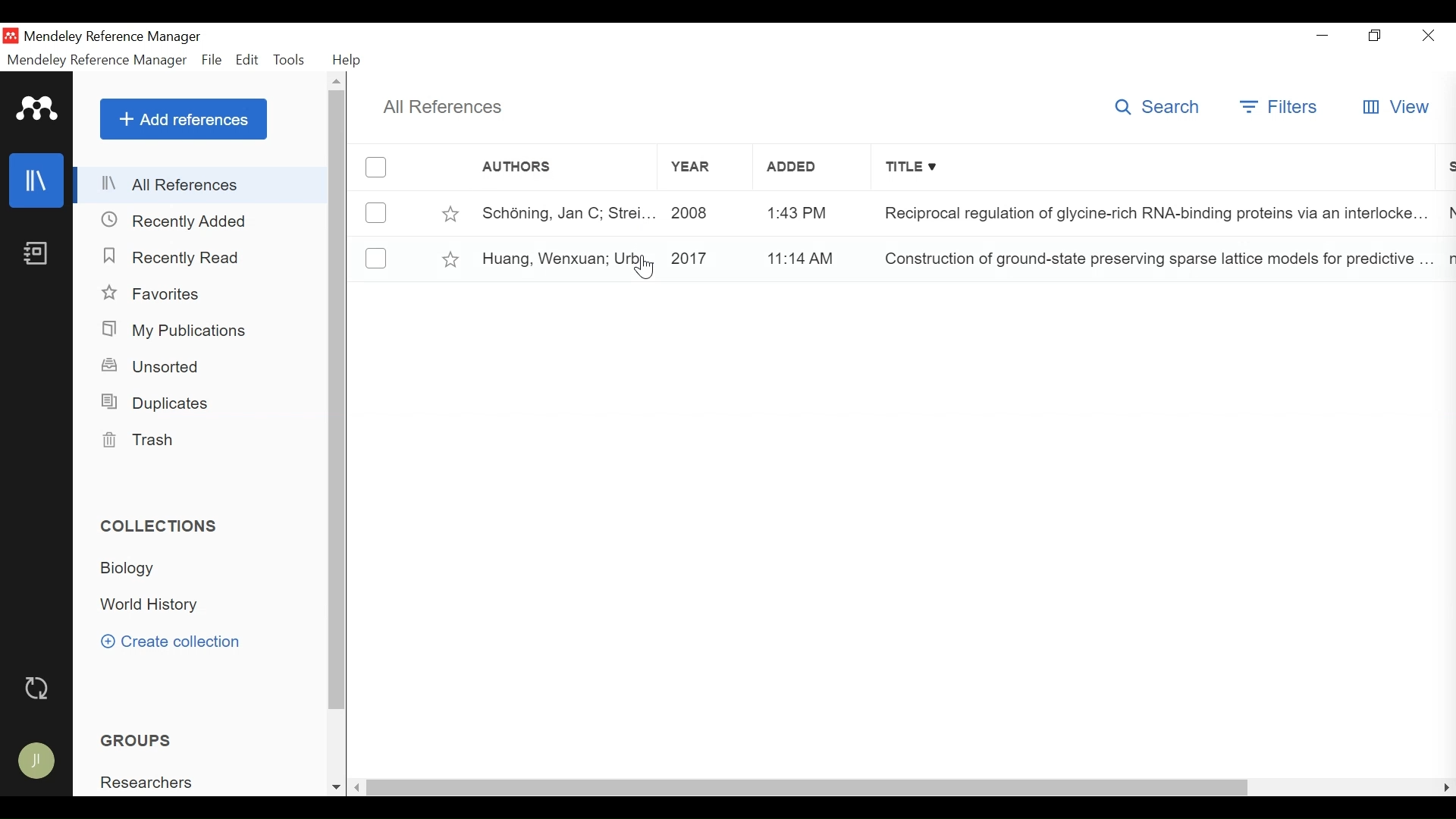  What do you see at coordinates (376, 258) in the screenshot?
I see `(un)select` at bounding box center [376, 258].